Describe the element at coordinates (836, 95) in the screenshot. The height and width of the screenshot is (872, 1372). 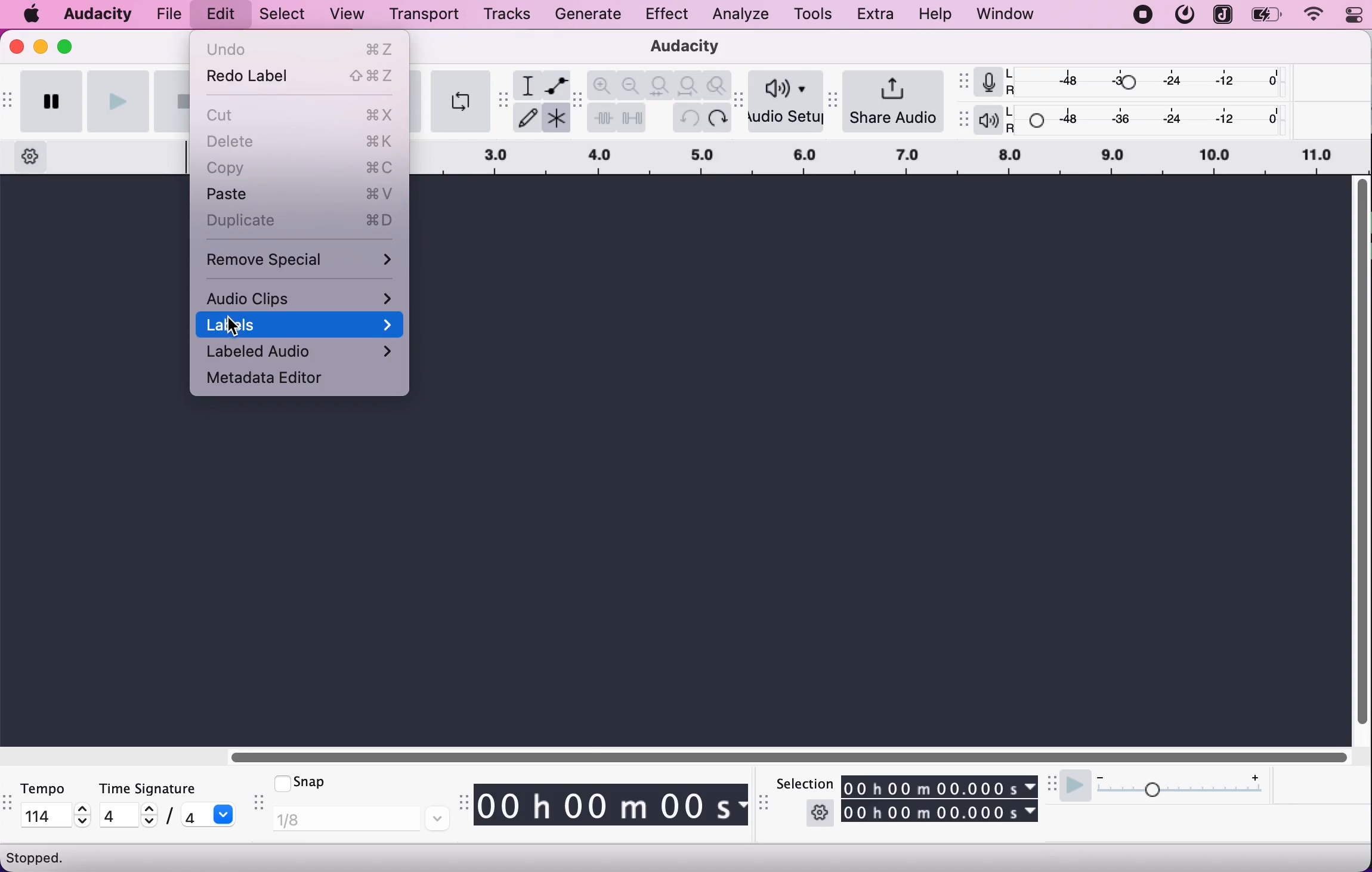
I see `audacity share audio toolbar` at that location.